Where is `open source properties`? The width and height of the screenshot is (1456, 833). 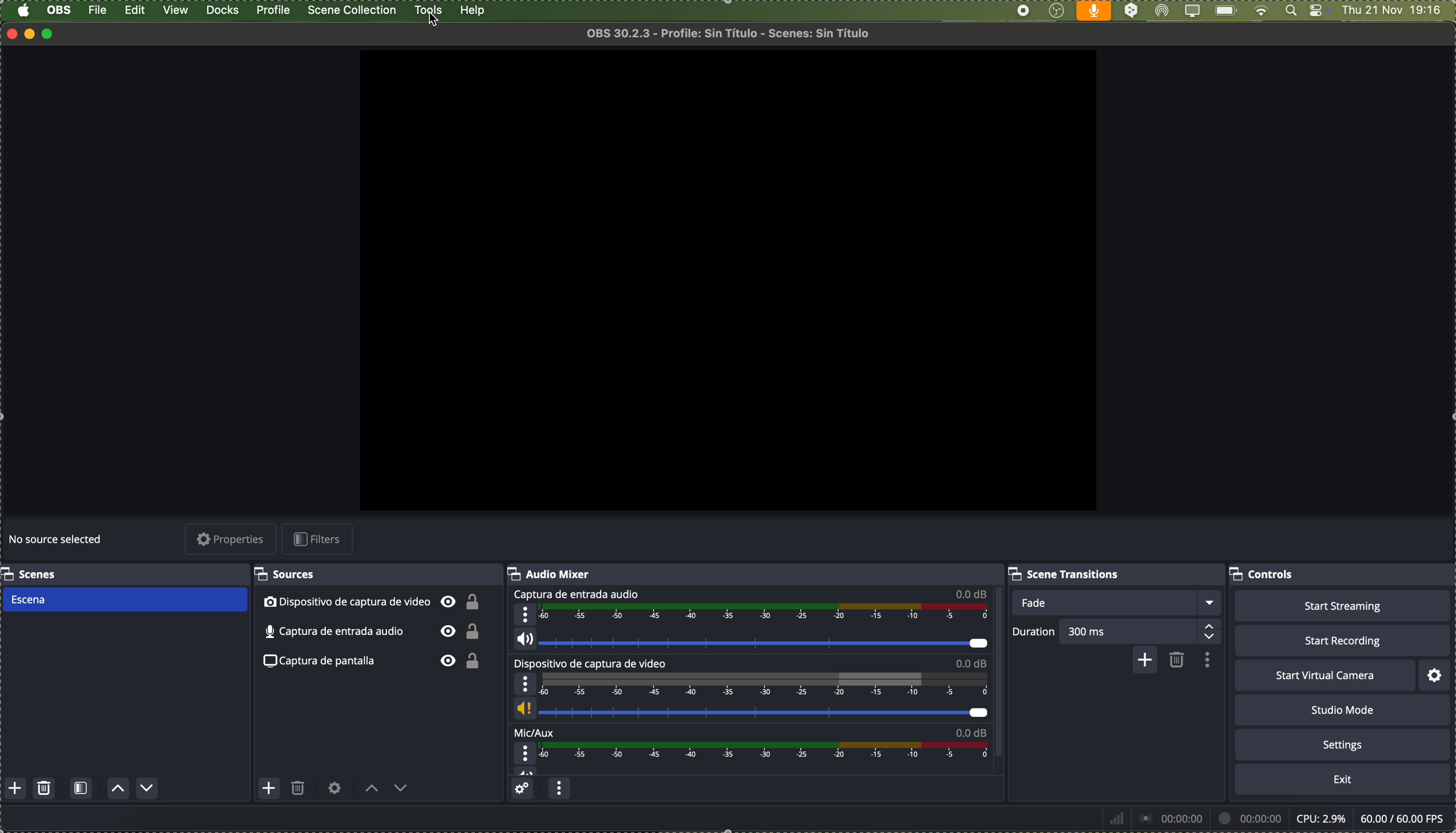 open source properties is located at coordinates (335, 788).